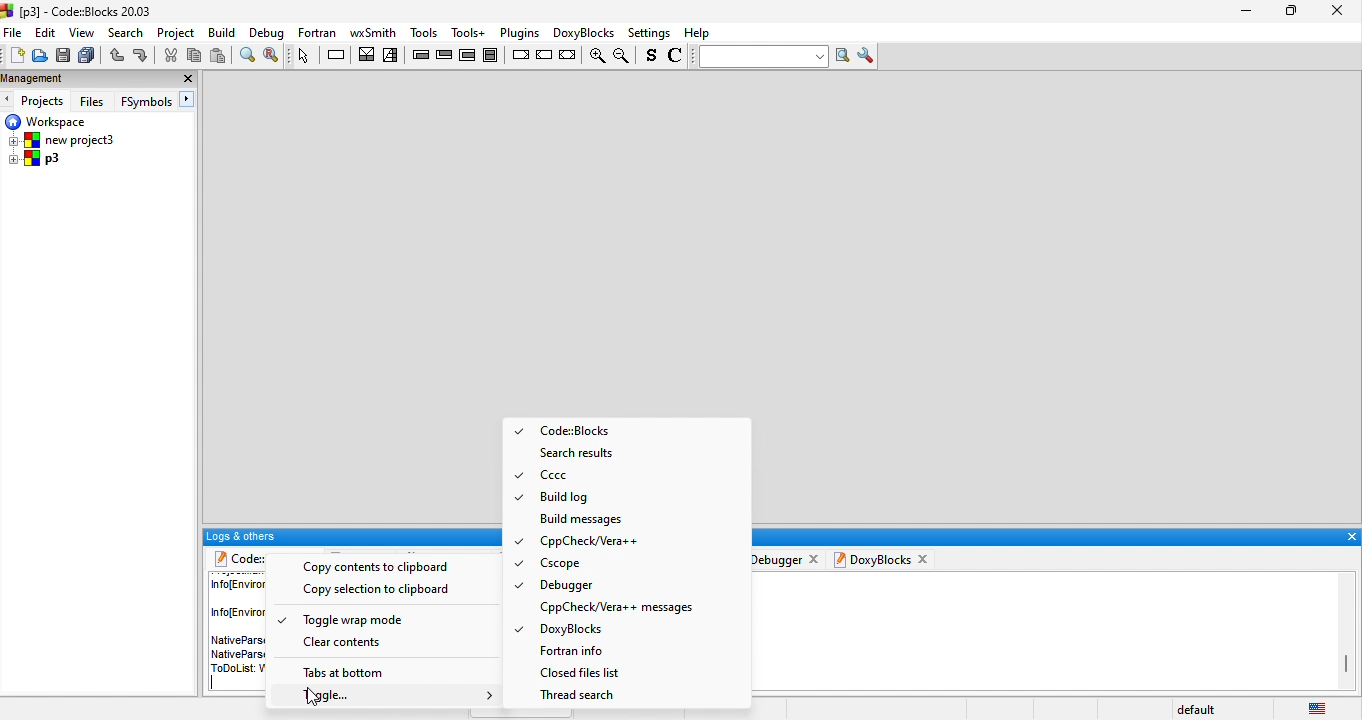  Describe the element at coordinates (815, 557) in the screenshot. I see `close` at that location.